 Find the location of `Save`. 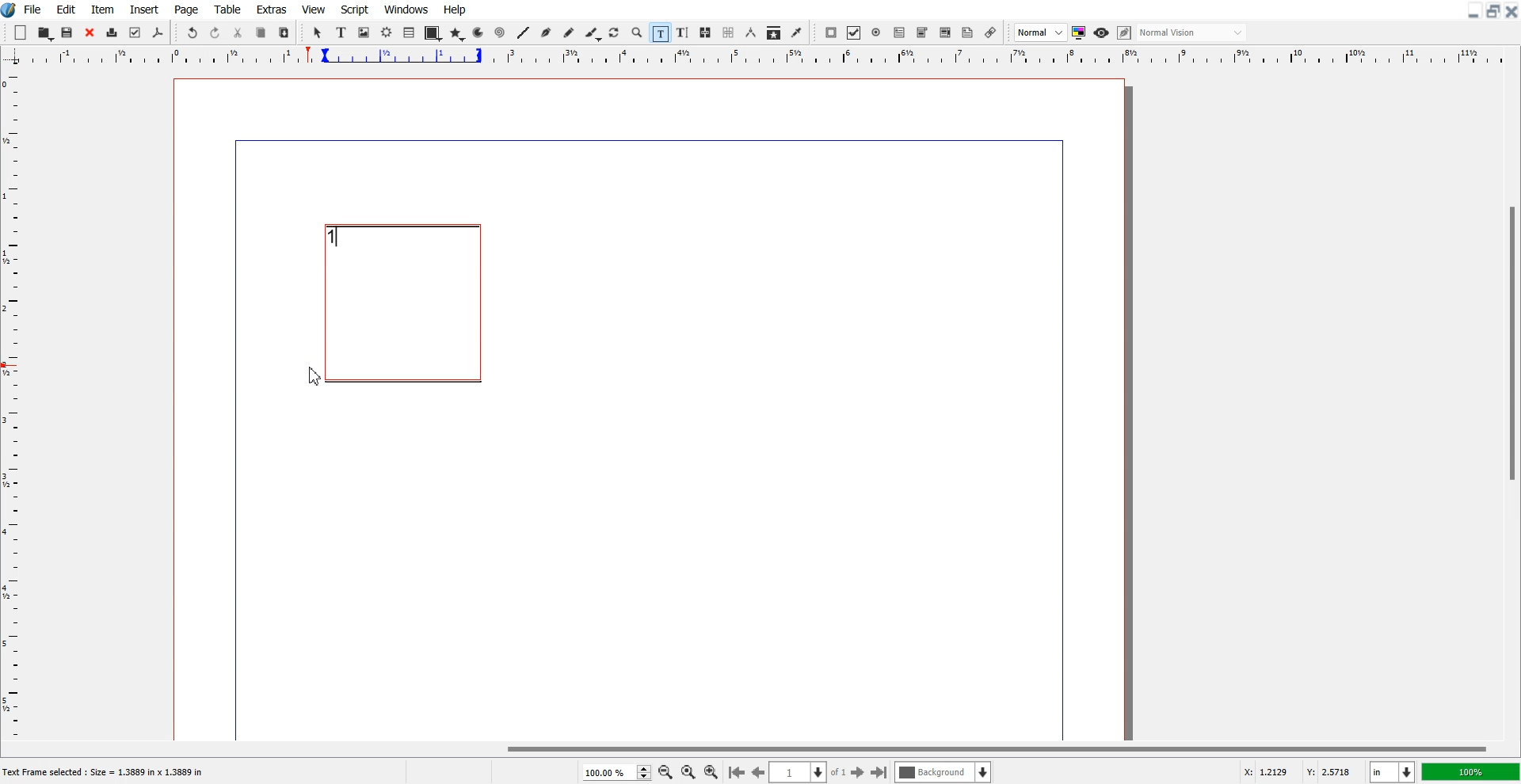

Save is located at coordinates (68, 32).